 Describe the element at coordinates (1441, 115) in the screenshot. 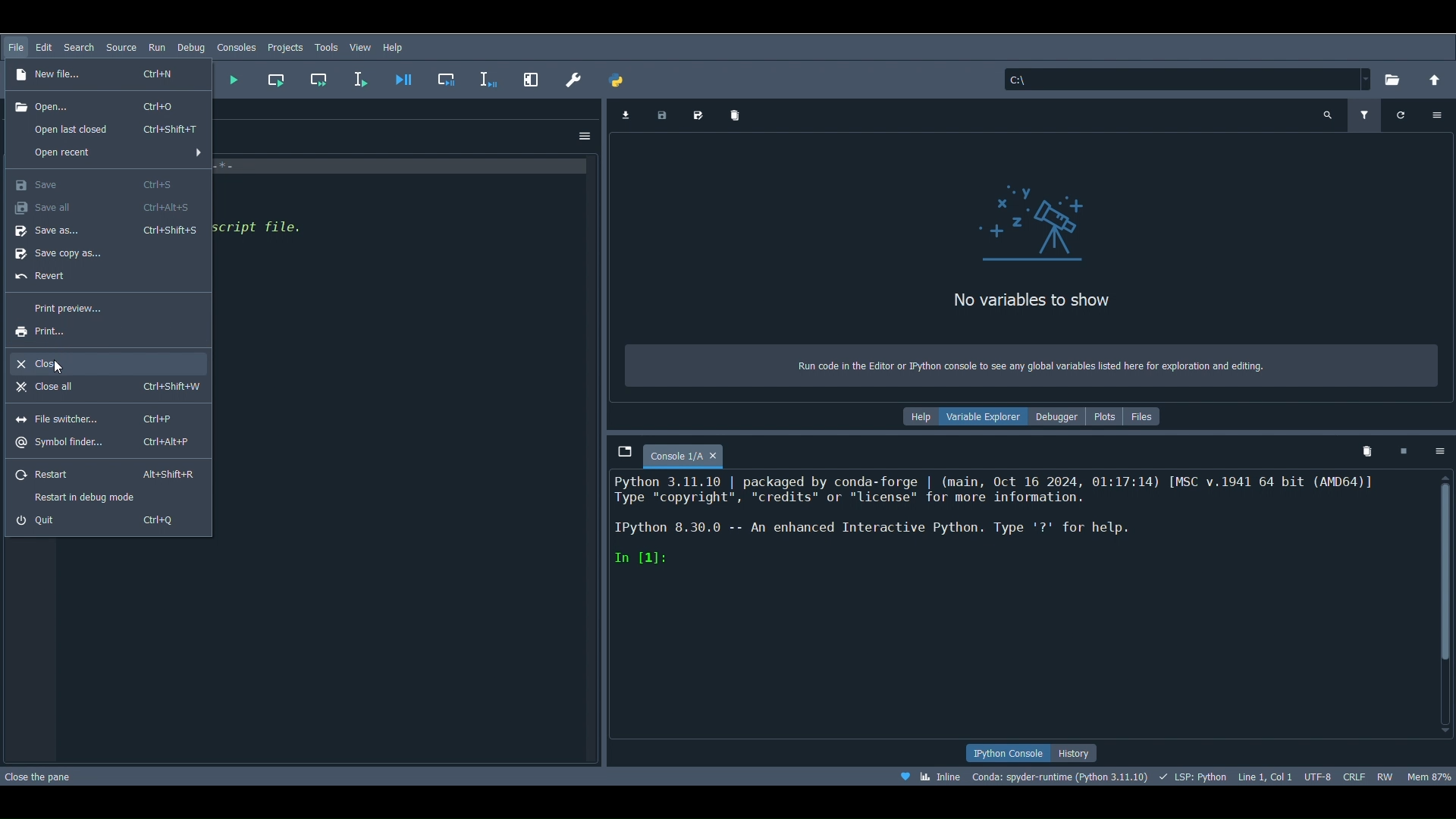

I see `Options` at that location.